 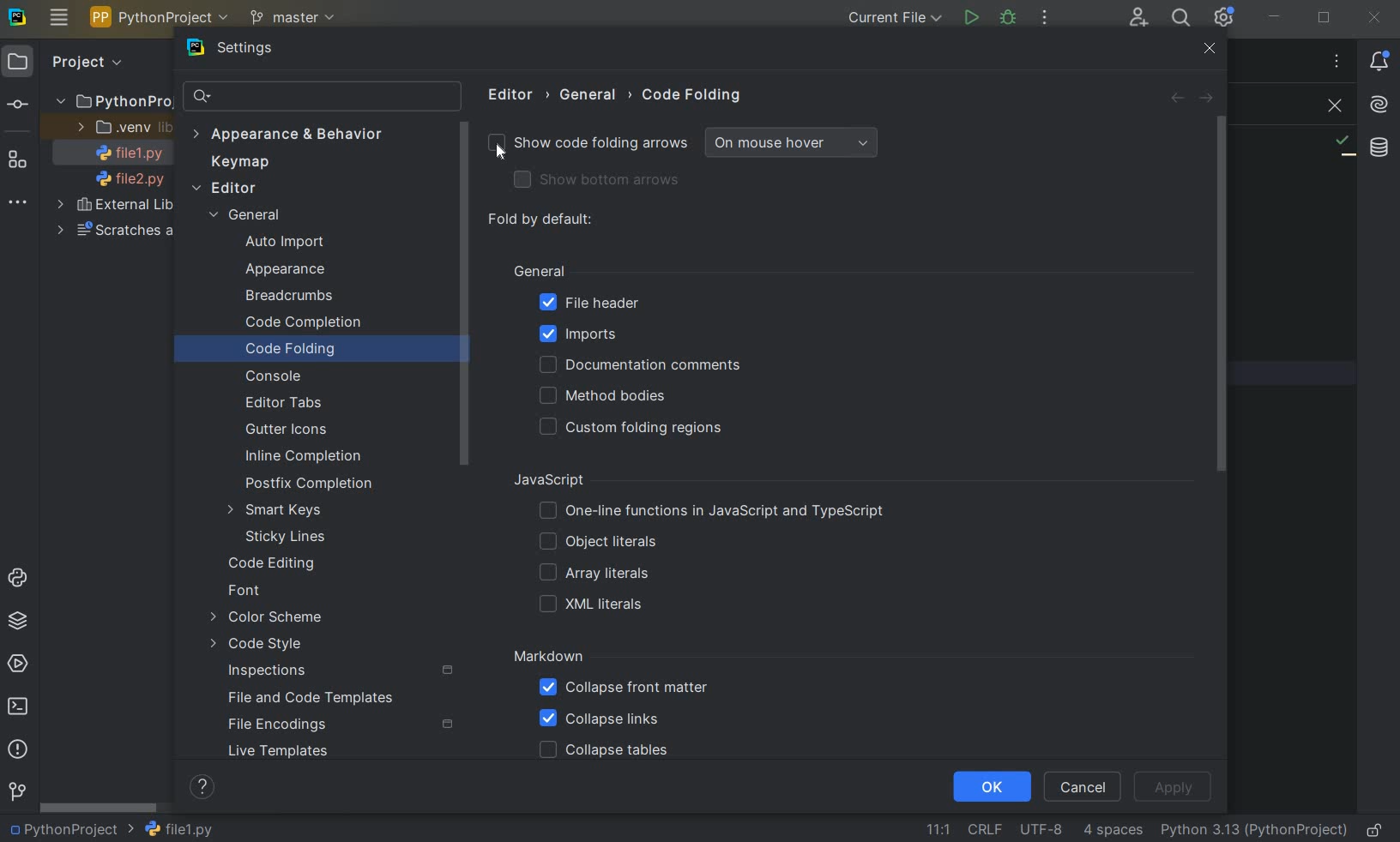 What do you see at coordinates (637, 428) in the screenshot?
I see `CUSTOM FOLDING REGIONS` at bounding box center [637, 428].